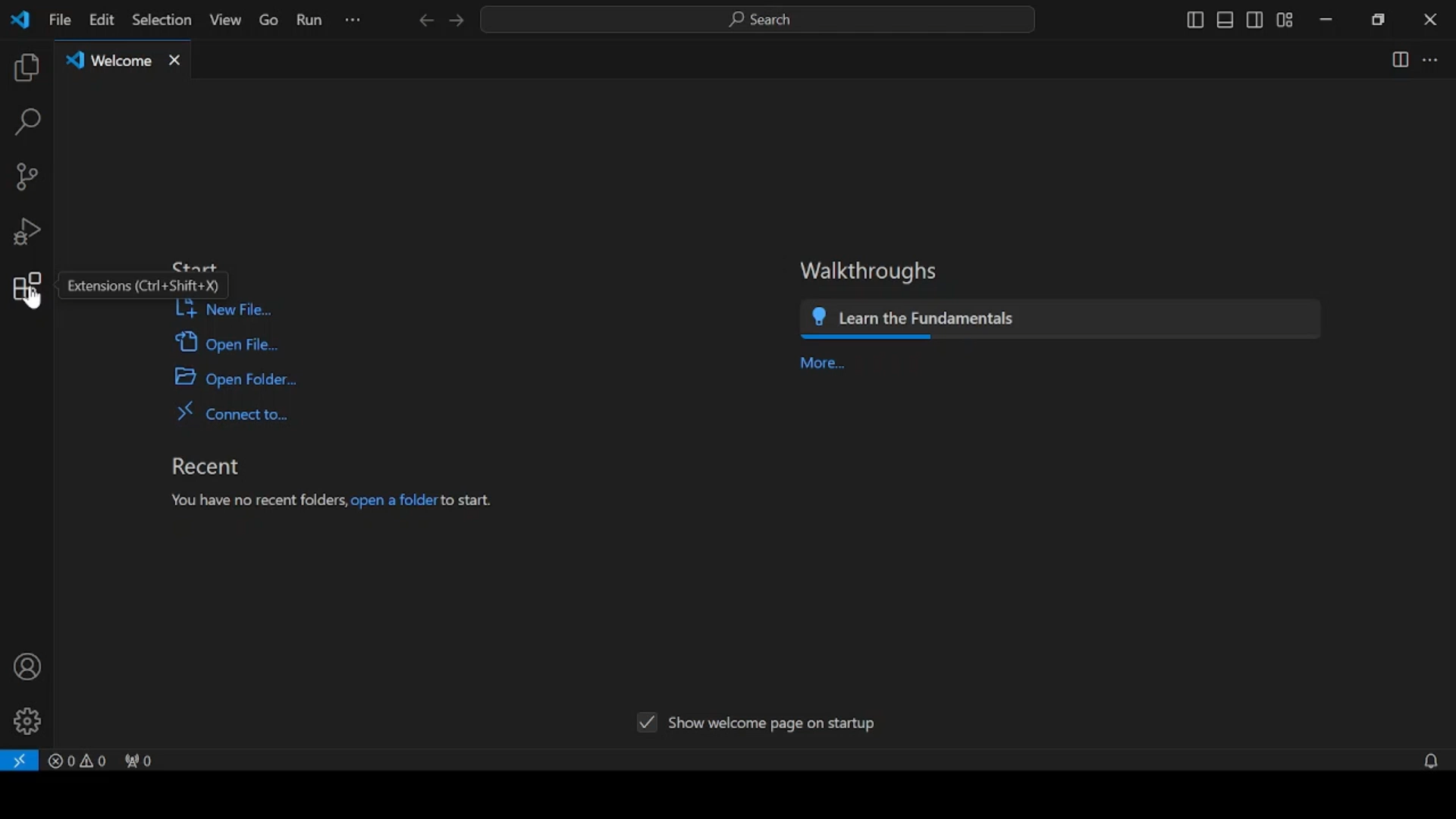 The width and height of the screenshot is (1456, 819). I want to click on toggle primary sidebar, so click(1194, 20).